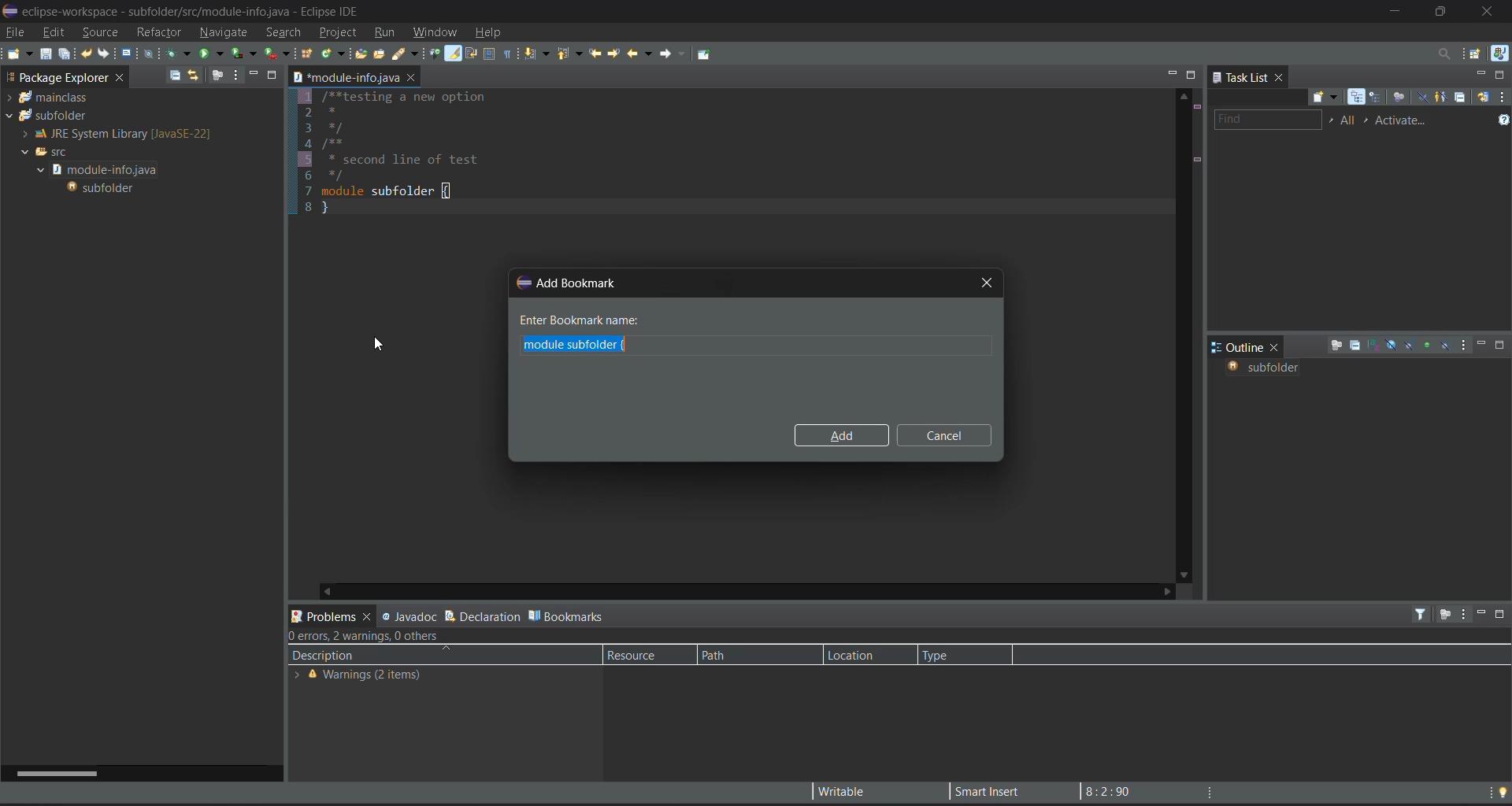 Image resolution: width=1512 pixels, height=806 pixels. I want to click on search, so click(283, 32).